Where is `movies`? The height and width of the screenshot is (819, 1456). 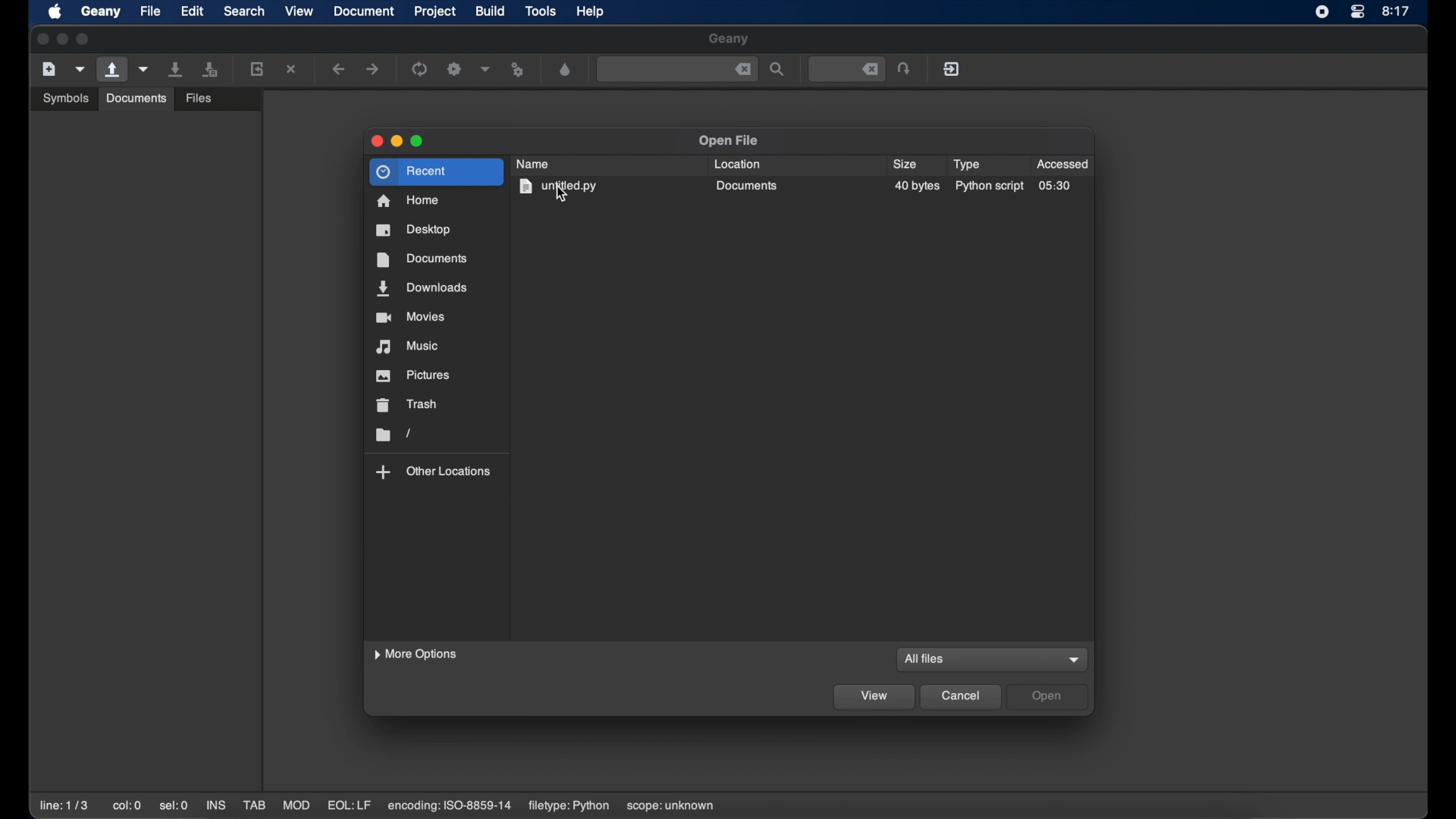 movies is located at coordinates (411, 317).